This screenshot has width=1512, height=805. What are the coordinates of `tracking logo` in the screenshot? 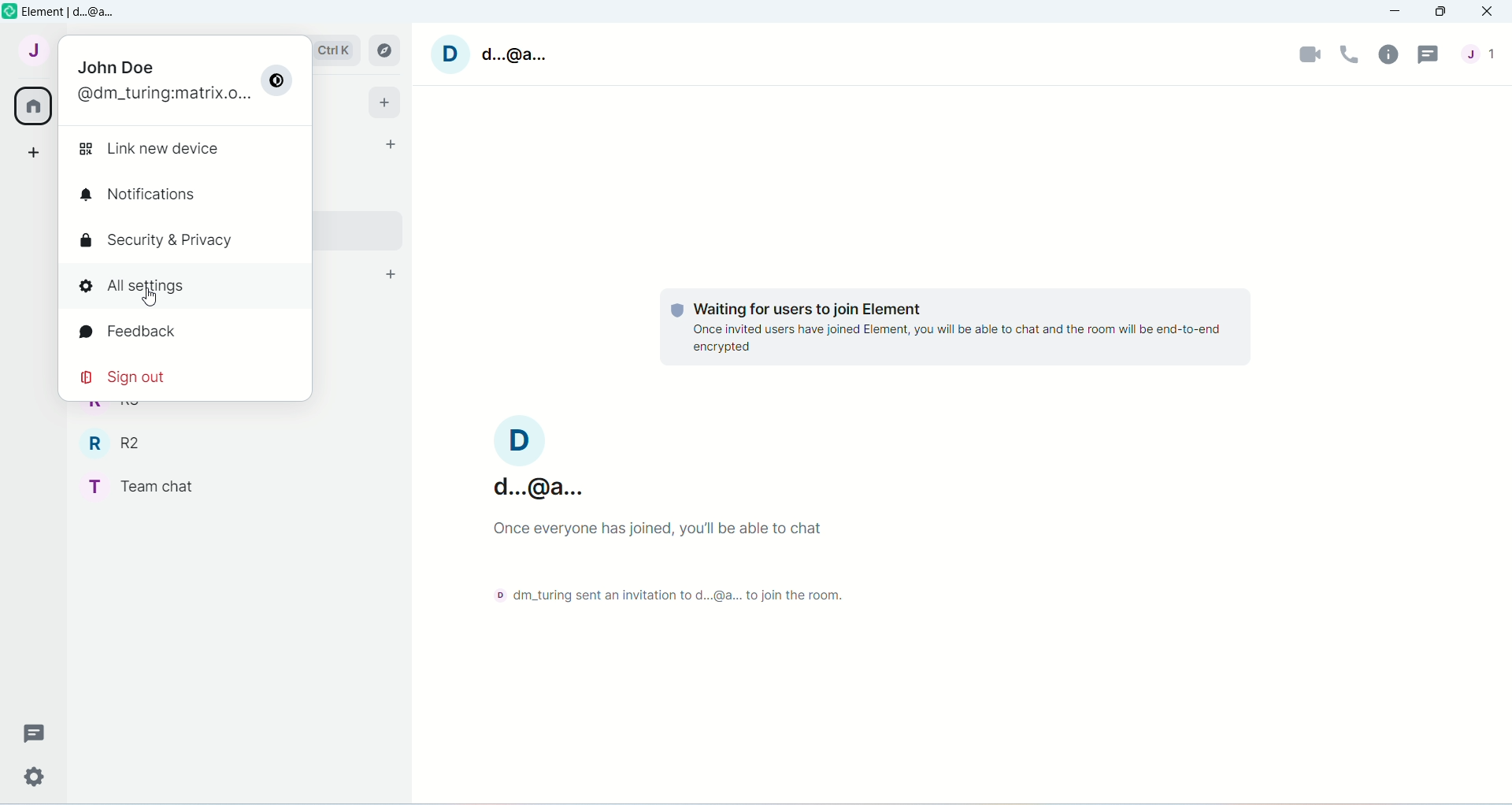 It's located at (675, 310).